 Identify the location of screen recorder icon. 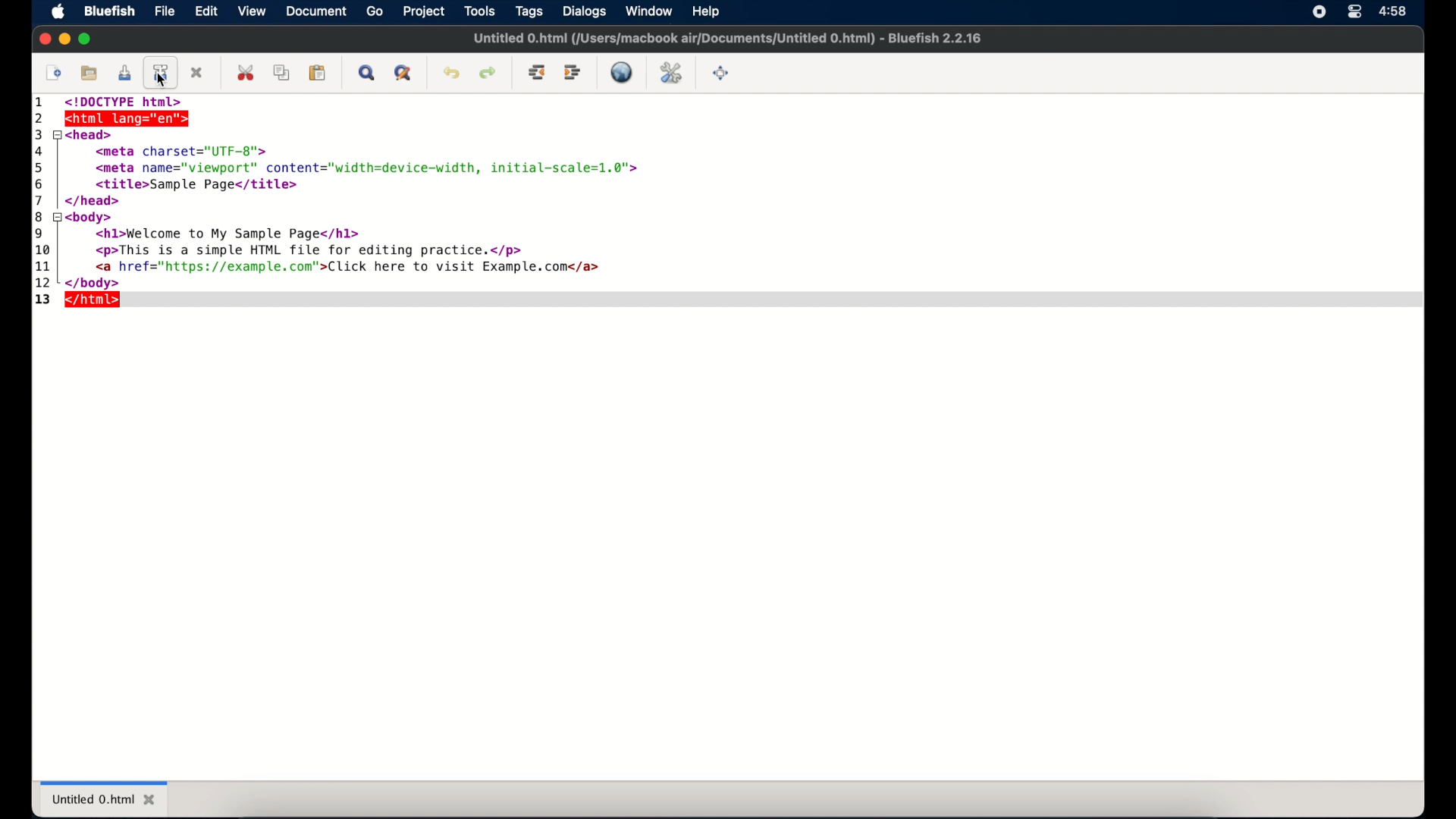
(1319, 11).